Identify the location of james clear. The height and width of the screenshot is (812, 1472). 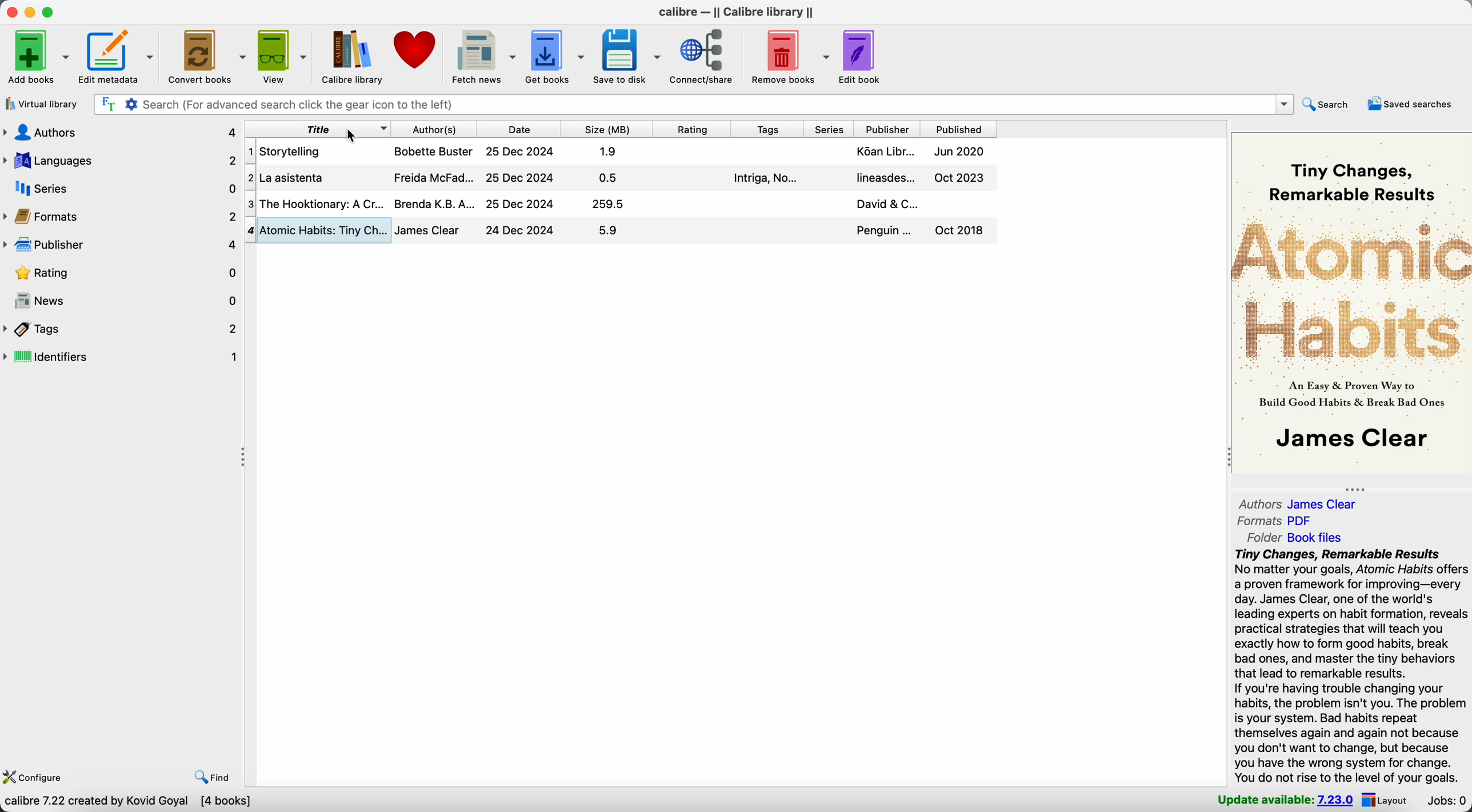
(428, 230).